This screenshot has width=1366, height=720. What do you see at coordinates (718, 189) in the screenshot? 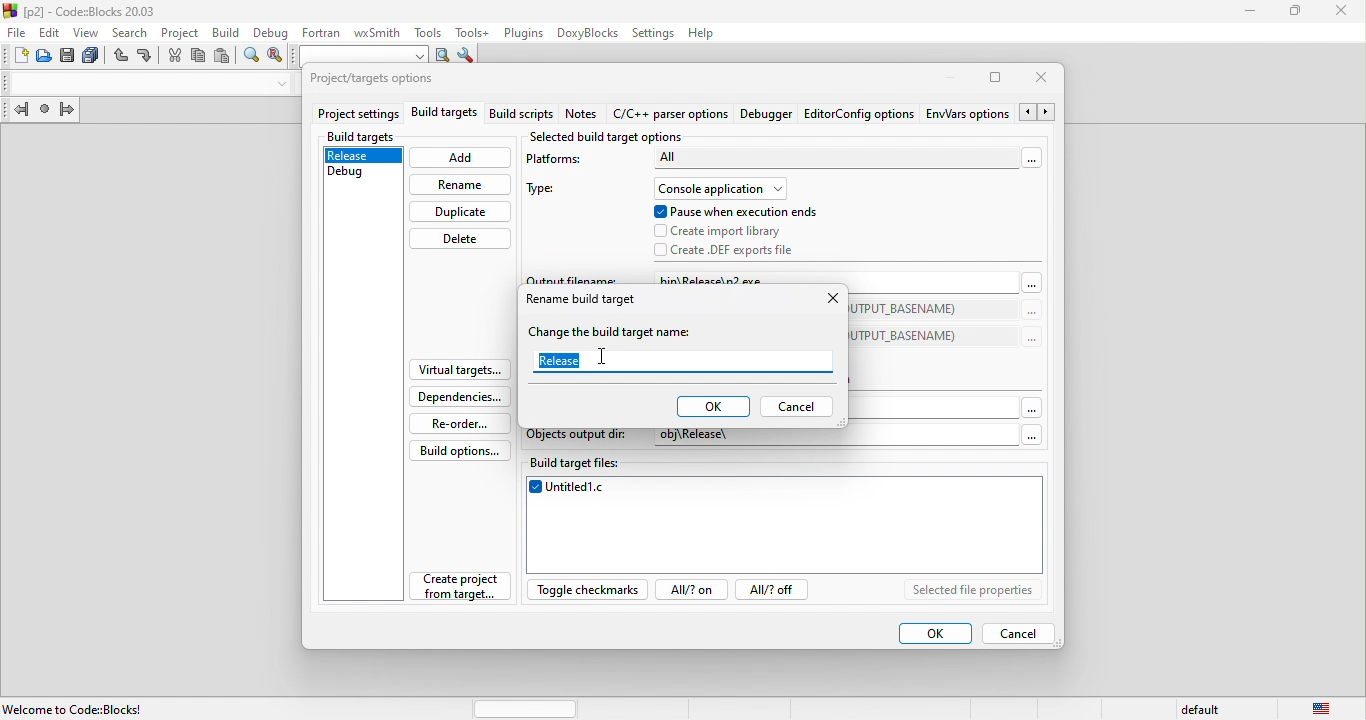
I see `console application` at bounding box center [718, 189].